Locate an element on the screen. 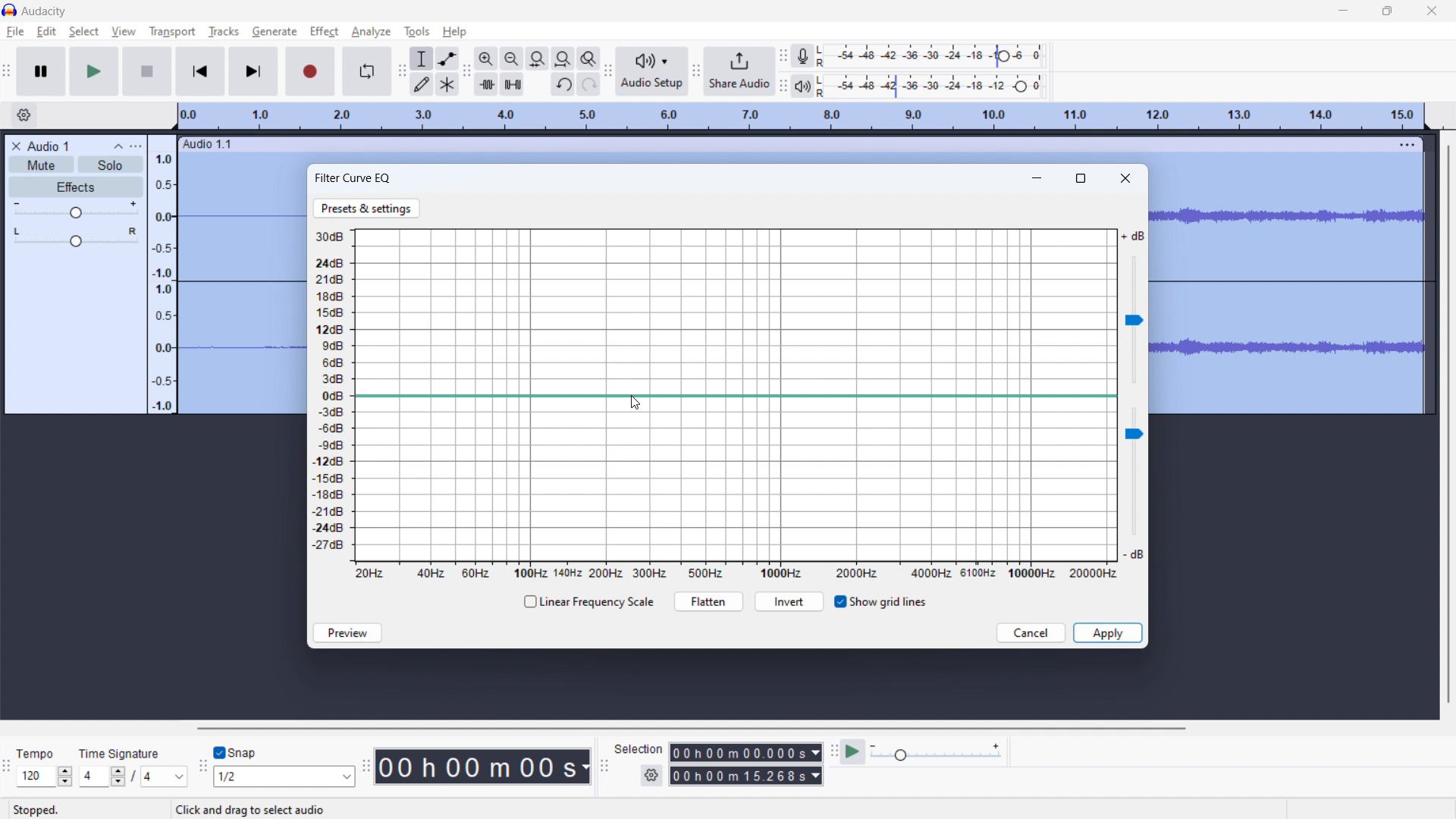  recording meter is located at coordinates (807, 55).